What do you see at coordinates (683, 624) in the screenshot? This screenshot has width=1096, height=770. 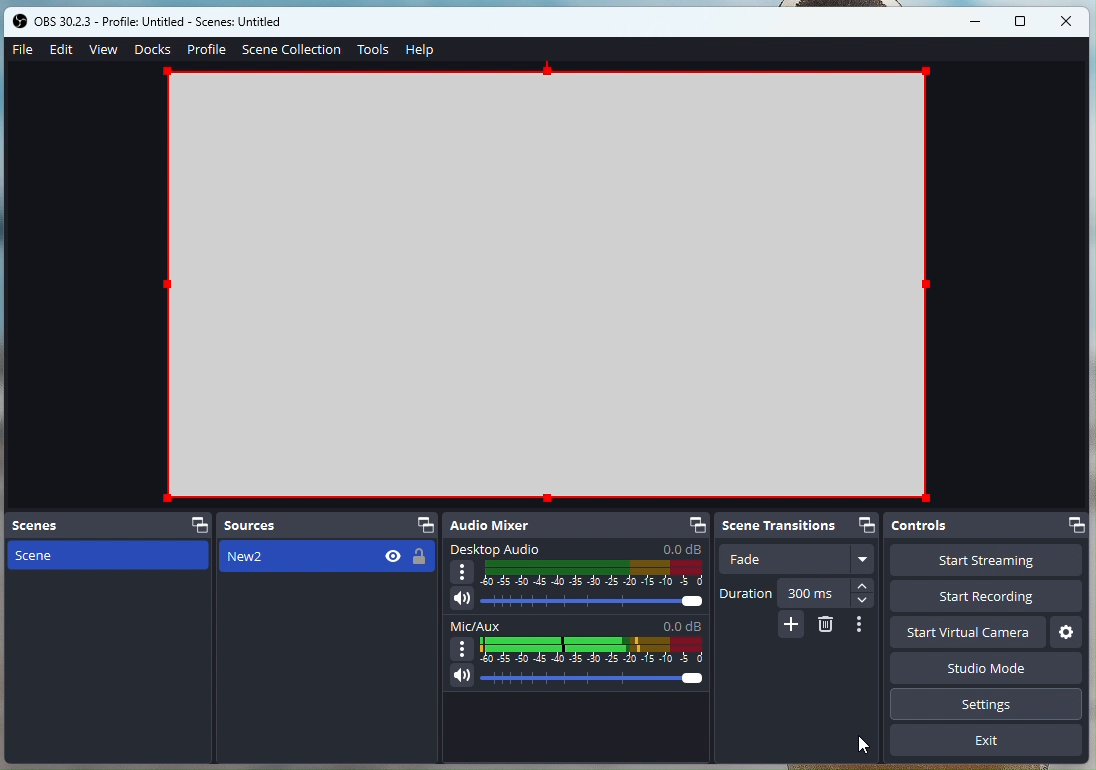 I see `0.0 dB` at bounding box center [683, 624].